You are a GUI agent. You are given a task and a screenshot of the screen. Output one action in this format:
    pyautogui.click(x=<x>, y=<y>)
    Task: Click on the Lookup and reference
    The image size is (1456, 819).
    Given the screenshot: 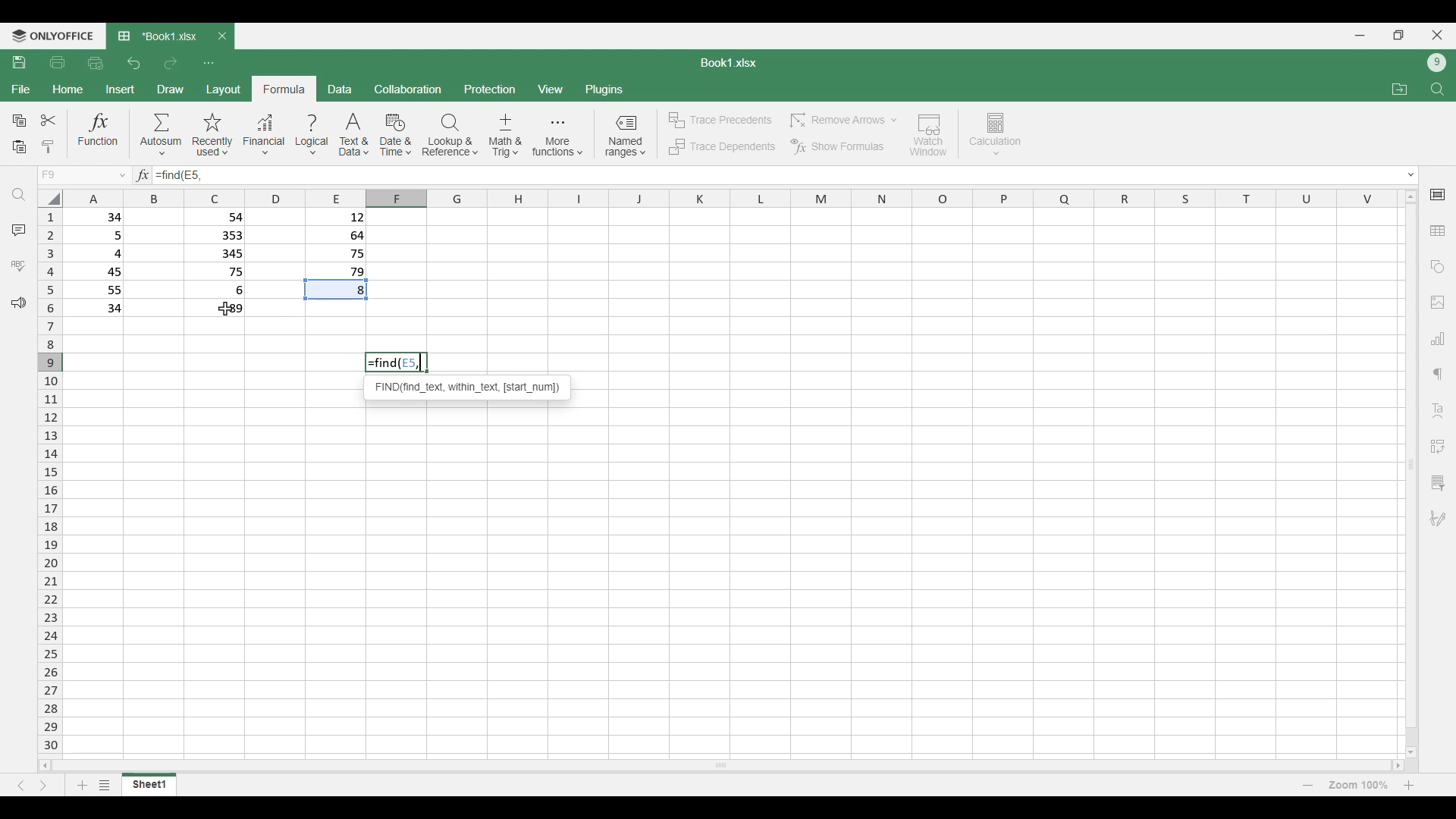 What is the action you would take?
    pyautogui.click(x=450, y=135)
    